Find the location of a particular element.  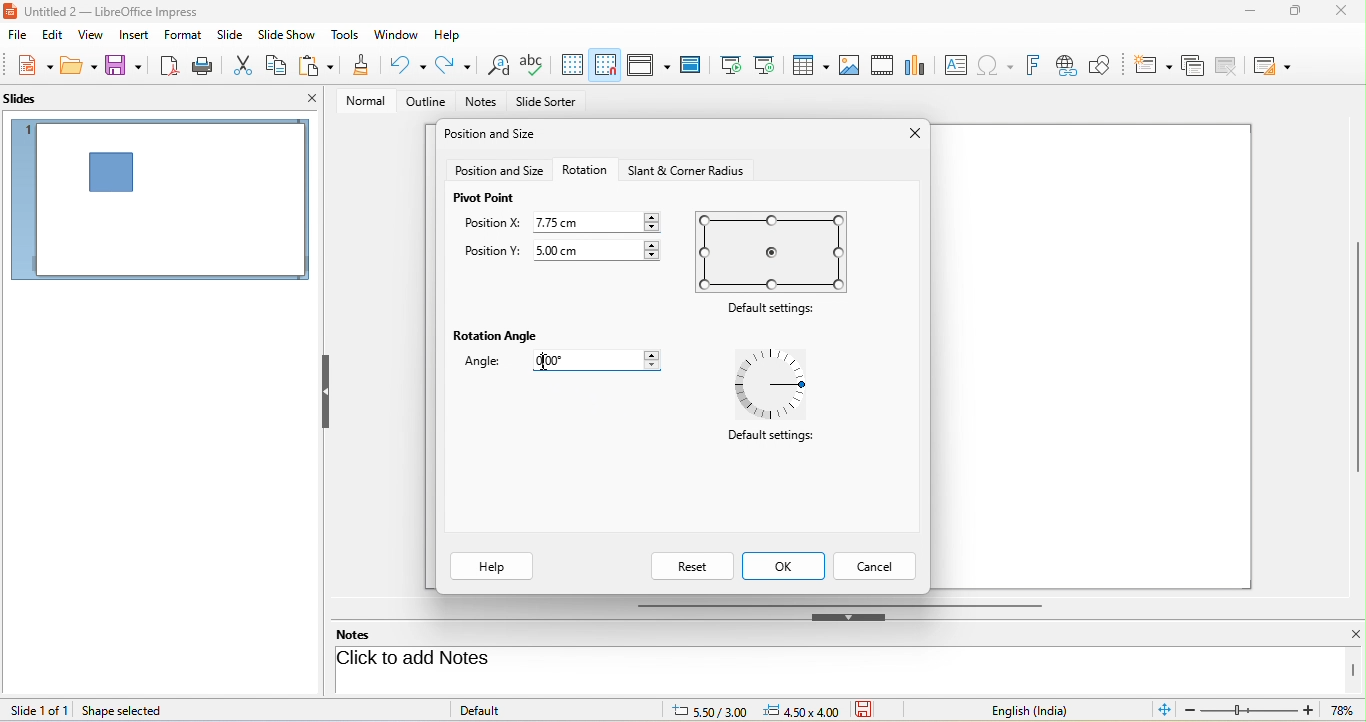

slide layout is located at coordinates (1277, 64).